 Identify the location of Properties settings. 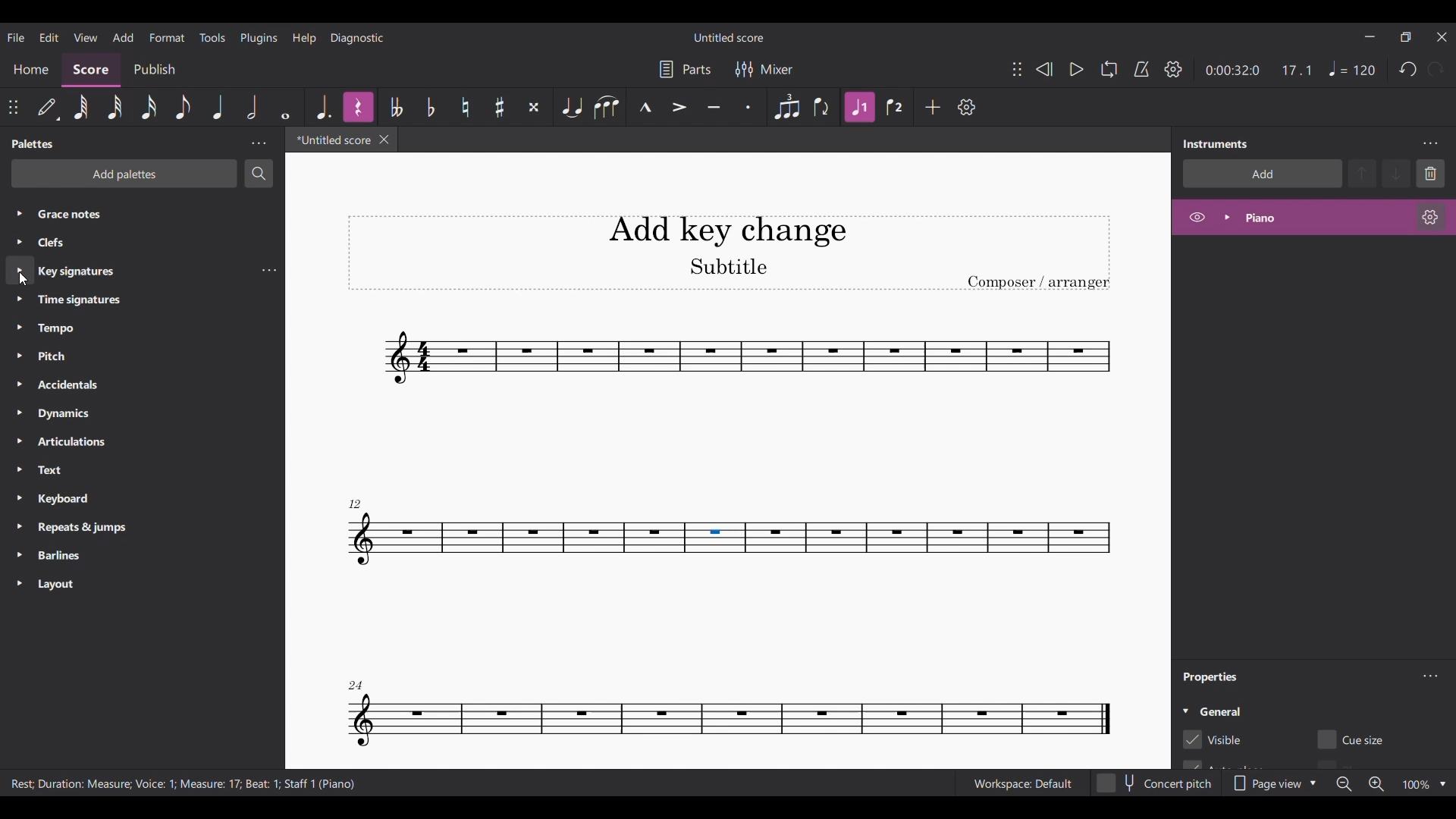
(1430, 676).